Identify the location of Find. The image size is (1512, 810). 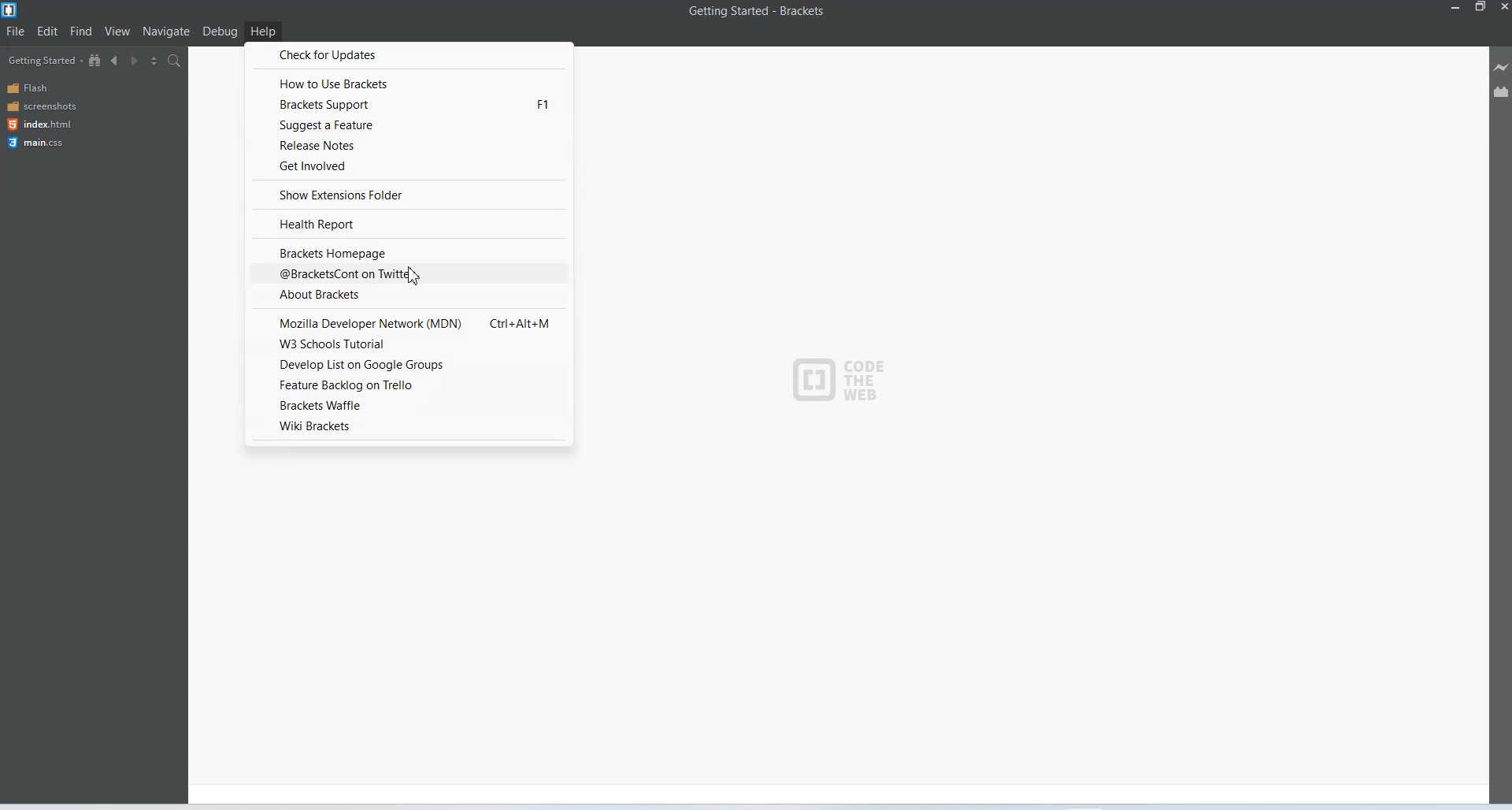
(82, 32).